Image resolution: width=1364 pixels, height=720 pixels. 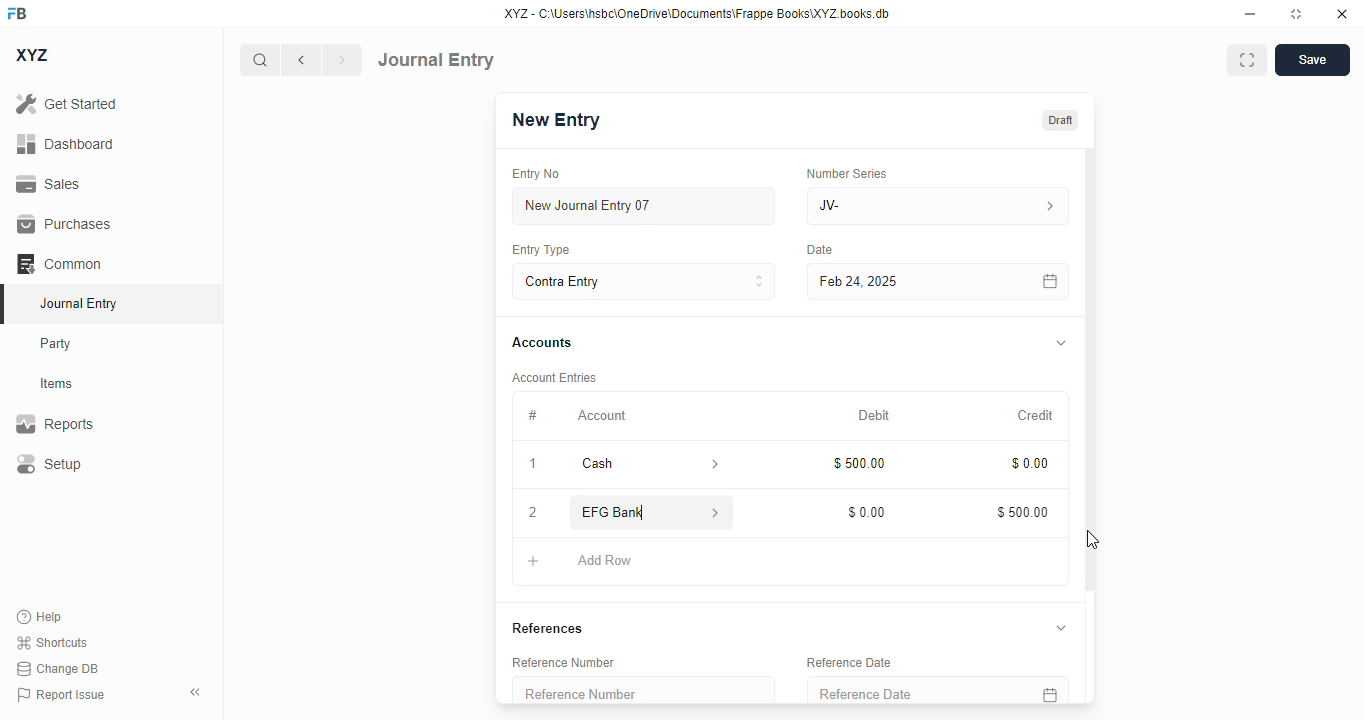 What do you see at coordinates (1061, 119) in the screenshot?
I see `draft` at bounding box center [1061, 119].